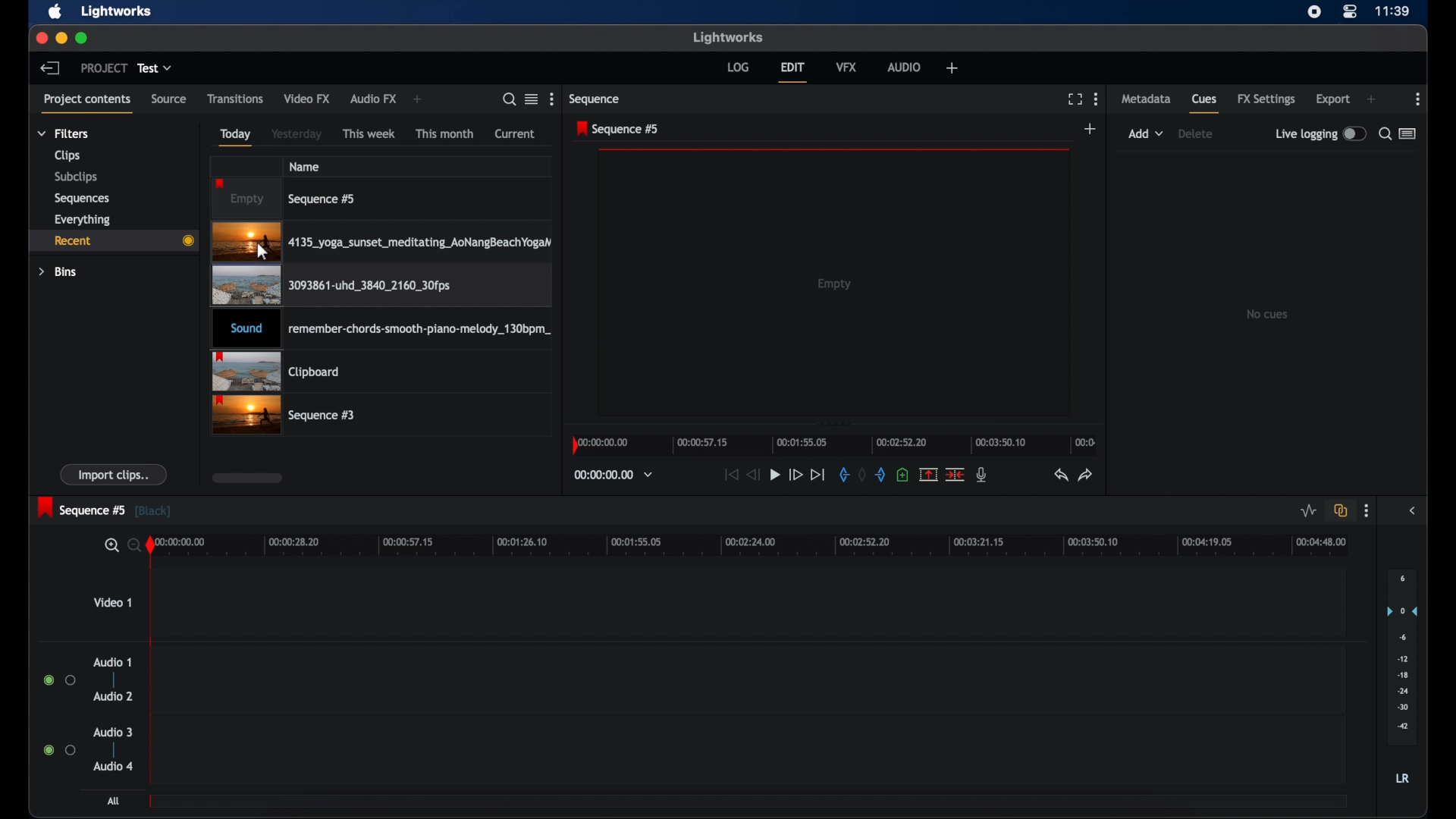  I want to click on lightworks, so click(730, 38).